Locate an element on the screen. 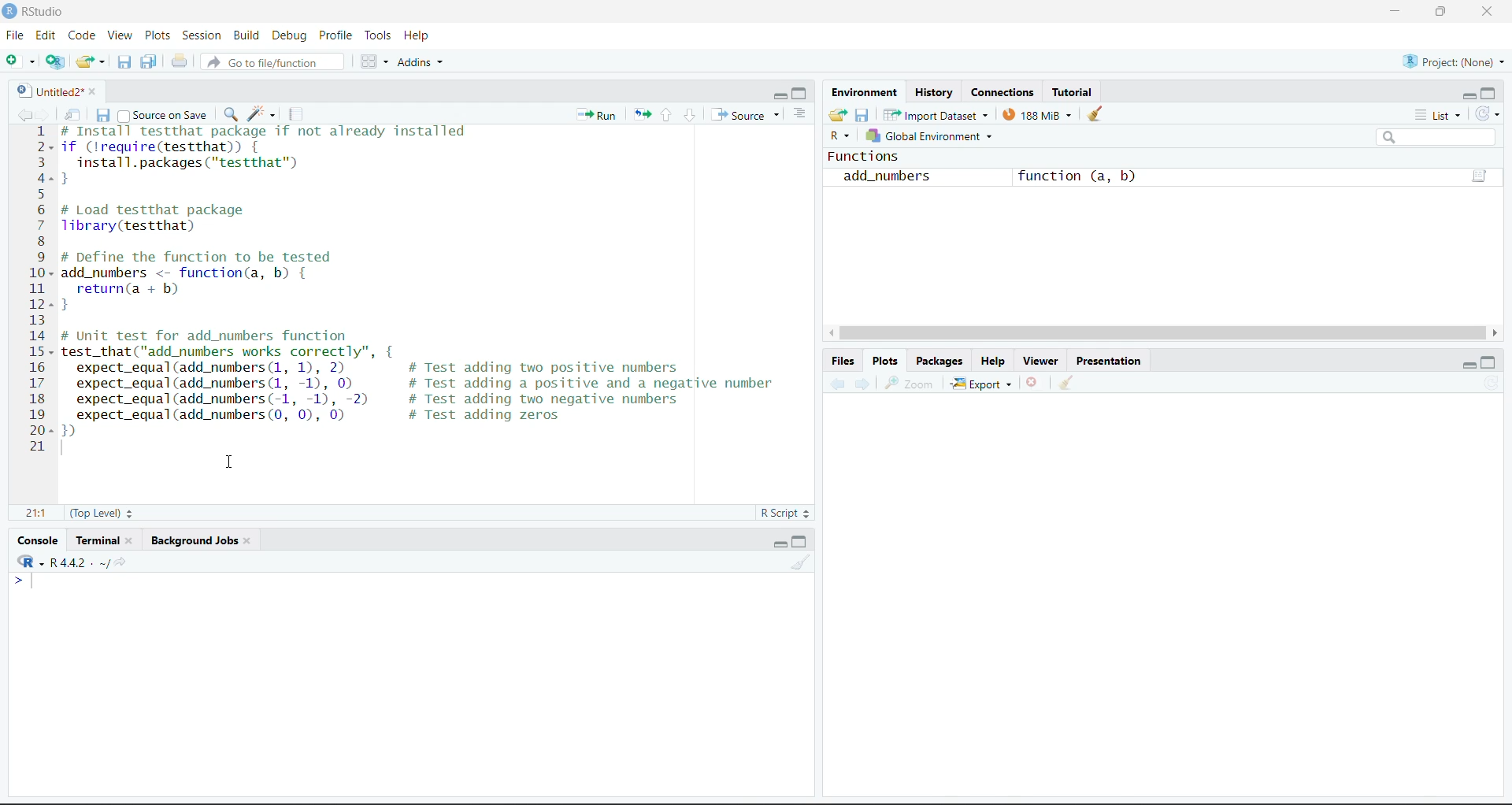 This screenshot has height=805, width=1512. close is located at coordinates (132, 538).